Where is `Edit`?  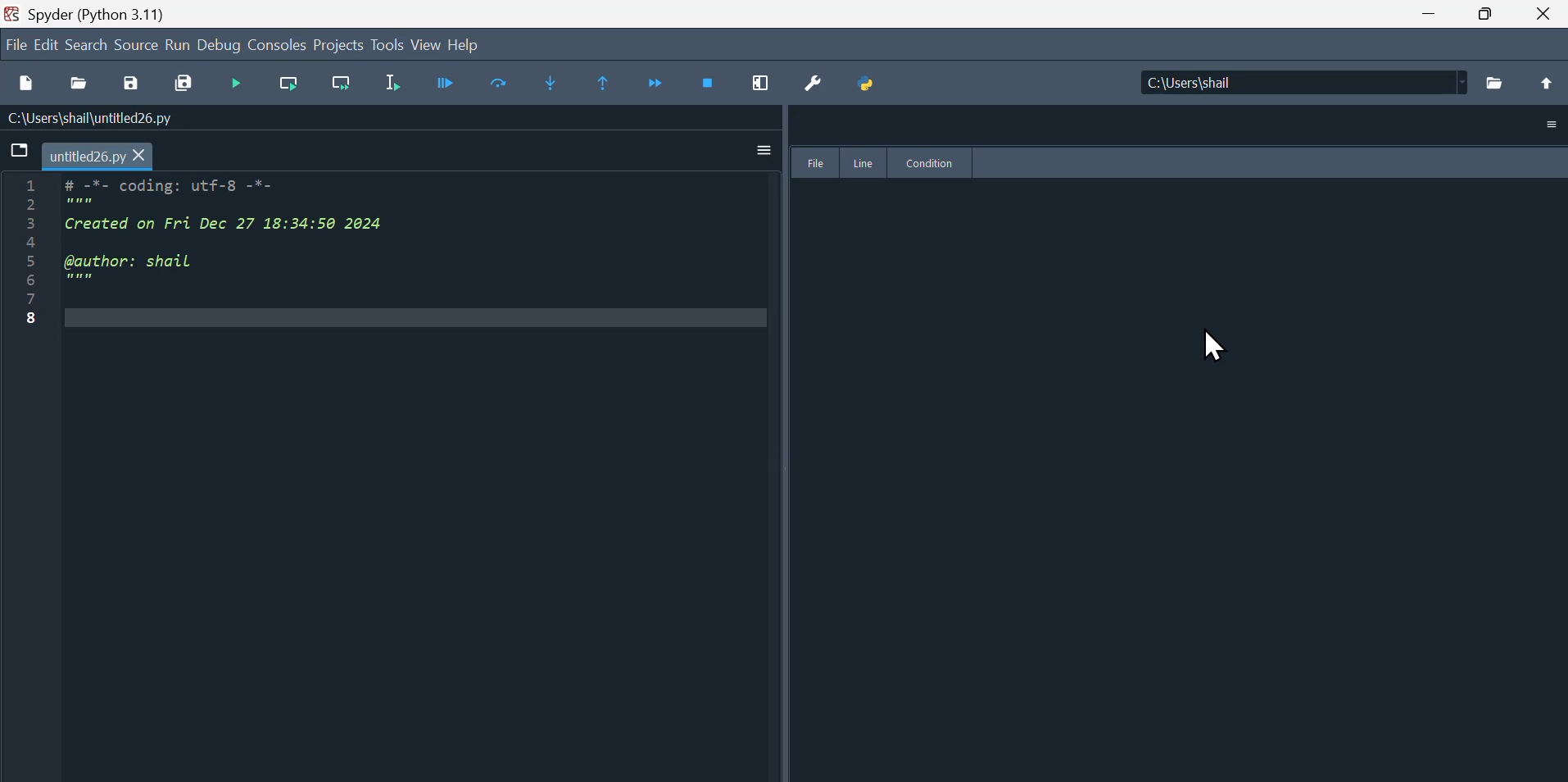 Edit is located at coordinates (48, 48).